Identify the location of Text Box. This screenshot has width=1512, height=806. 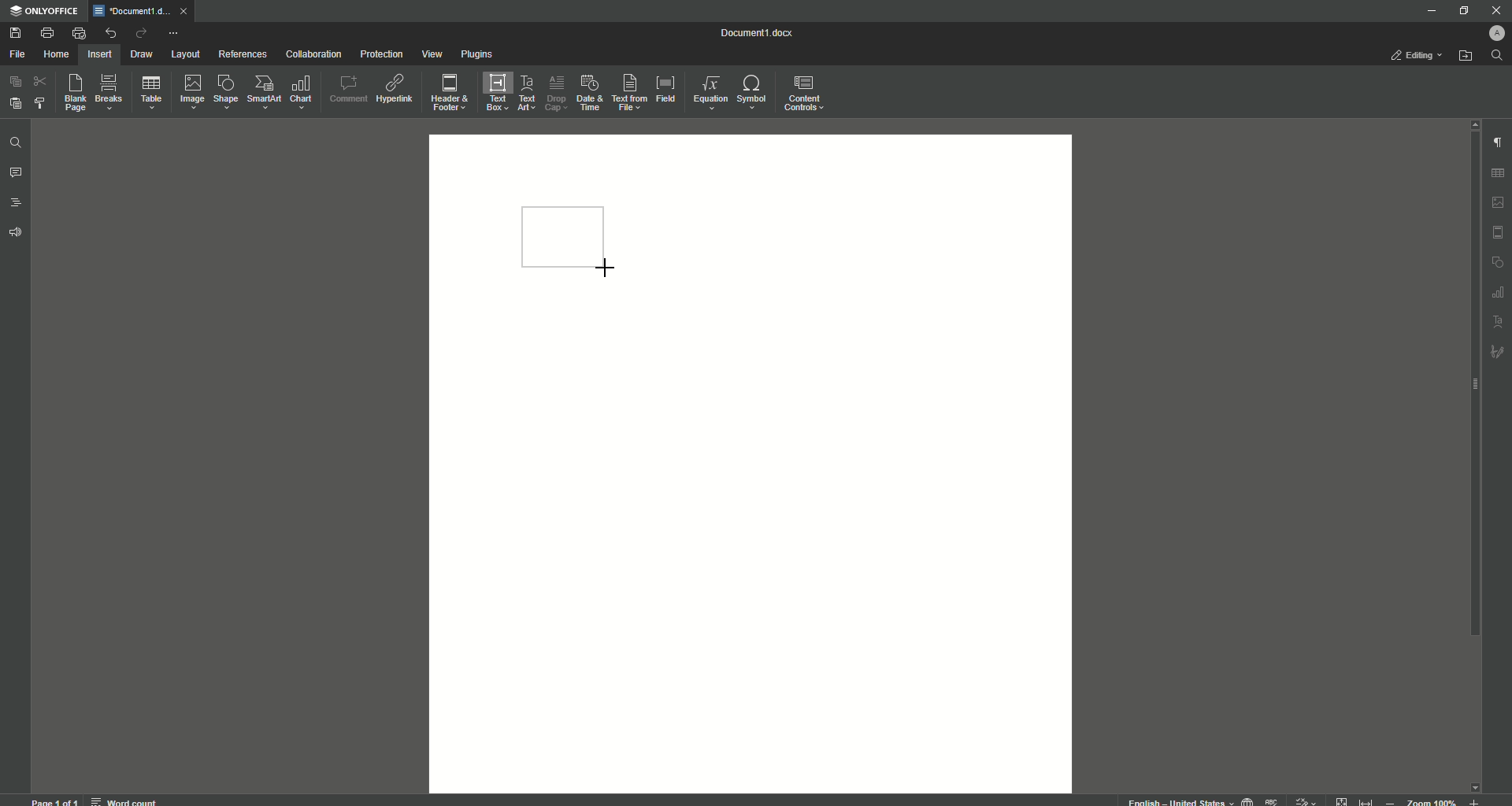
(492, 92).